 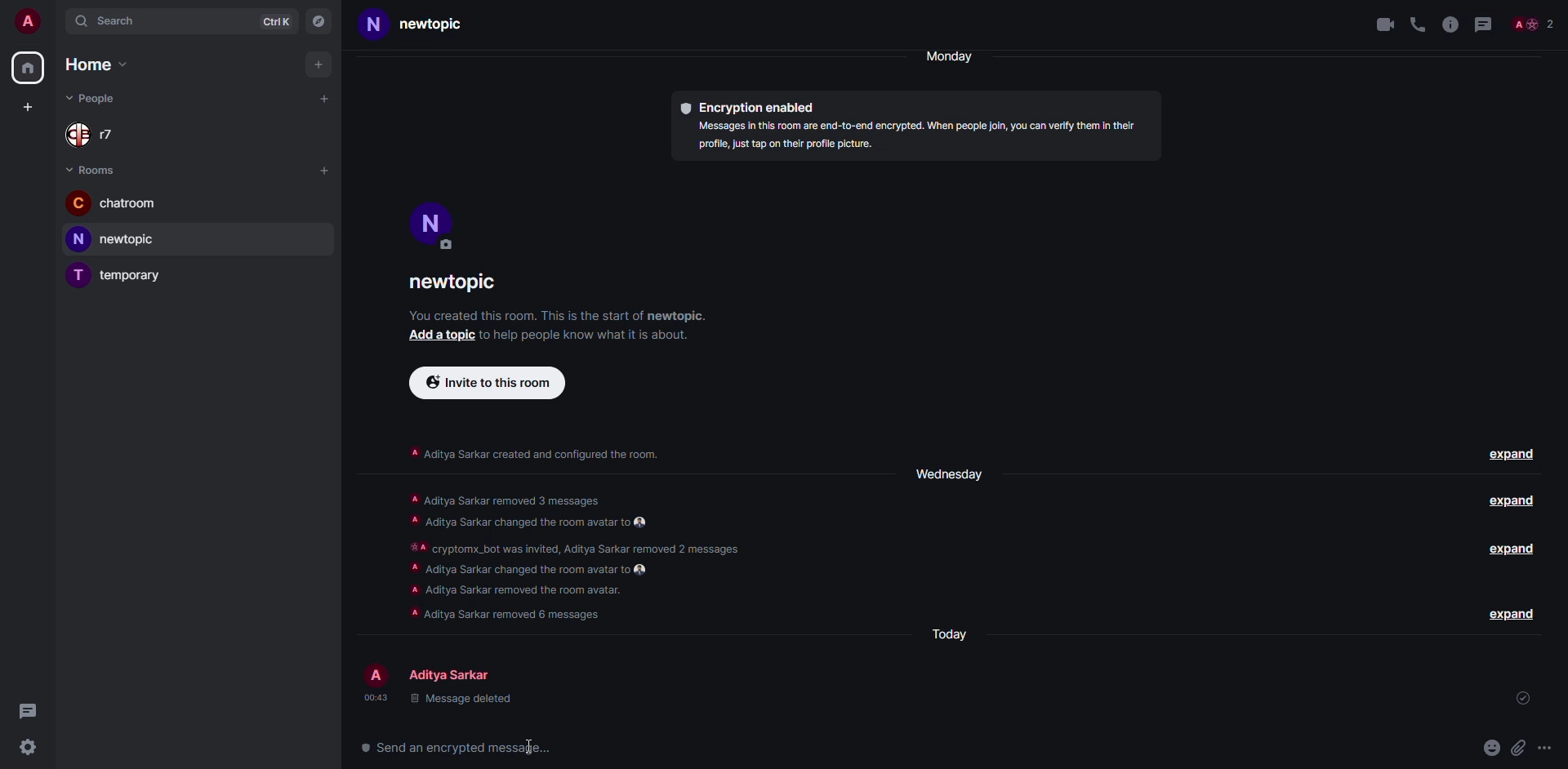 I want to click on profile, so click(x=432, y=222).